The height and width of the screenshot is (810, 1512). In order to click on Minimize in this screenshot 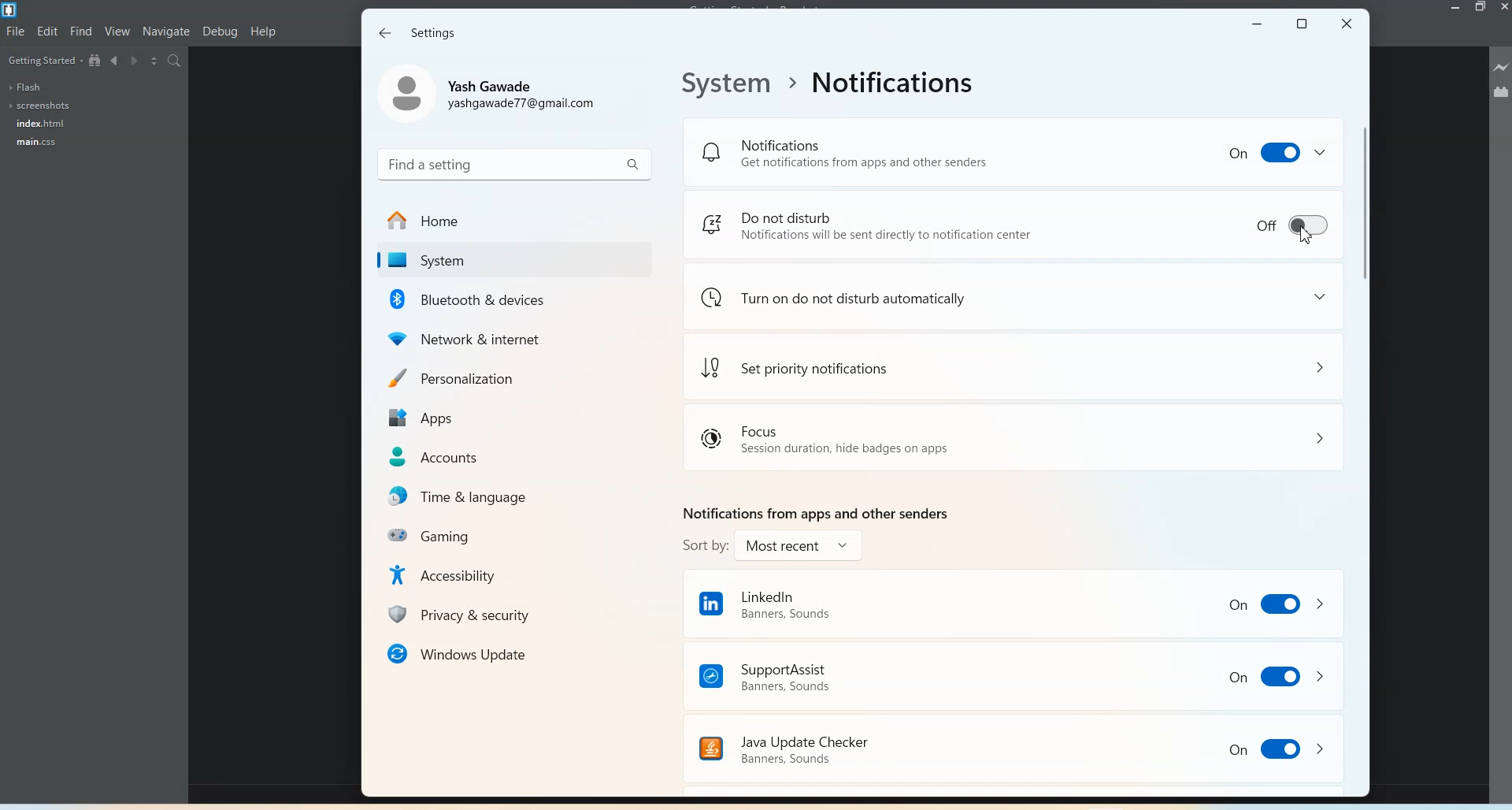, I will do `click(1455, 9)`.